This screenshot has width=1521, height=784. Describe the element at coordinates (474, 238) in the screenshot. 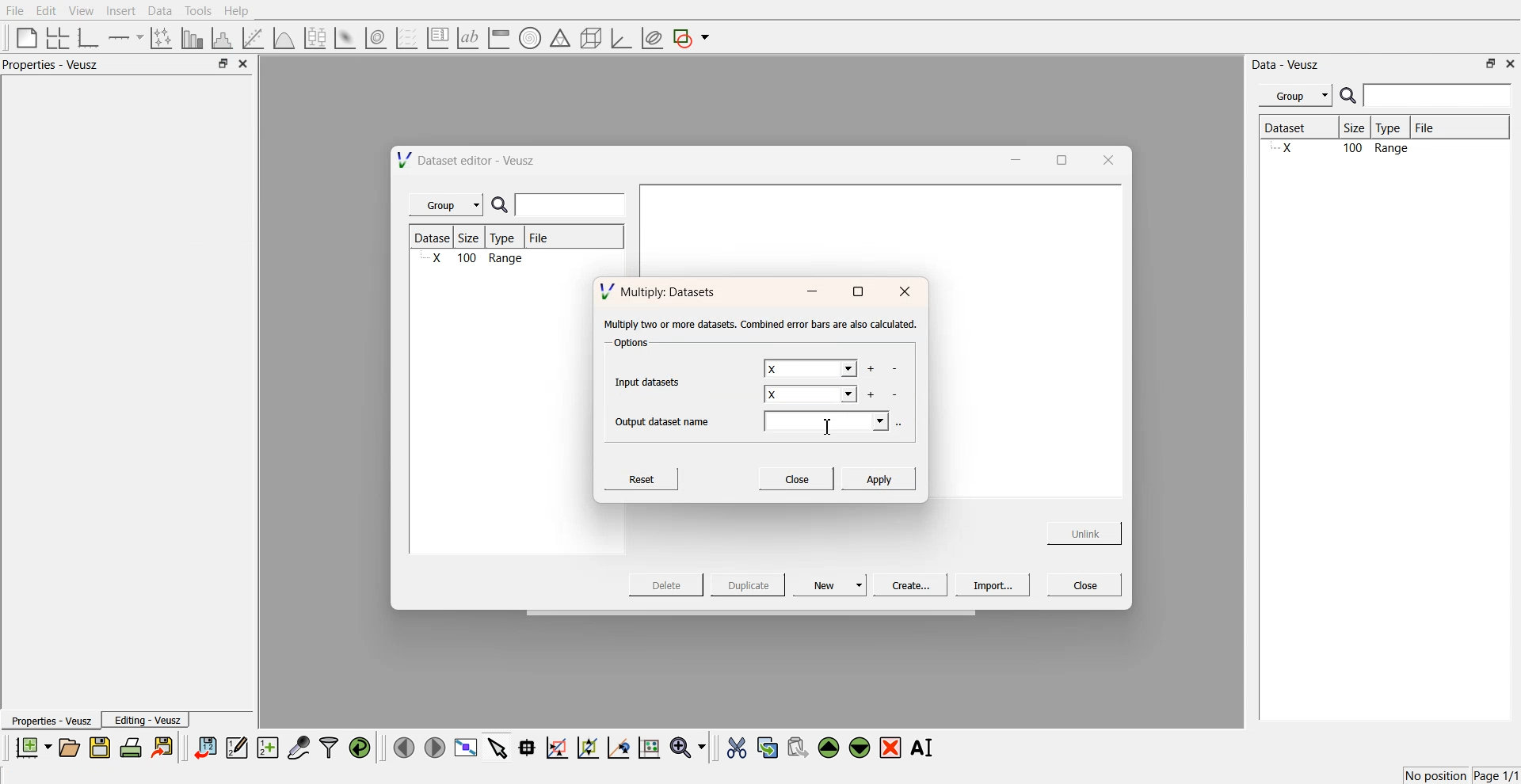

I see `Size` at that location.